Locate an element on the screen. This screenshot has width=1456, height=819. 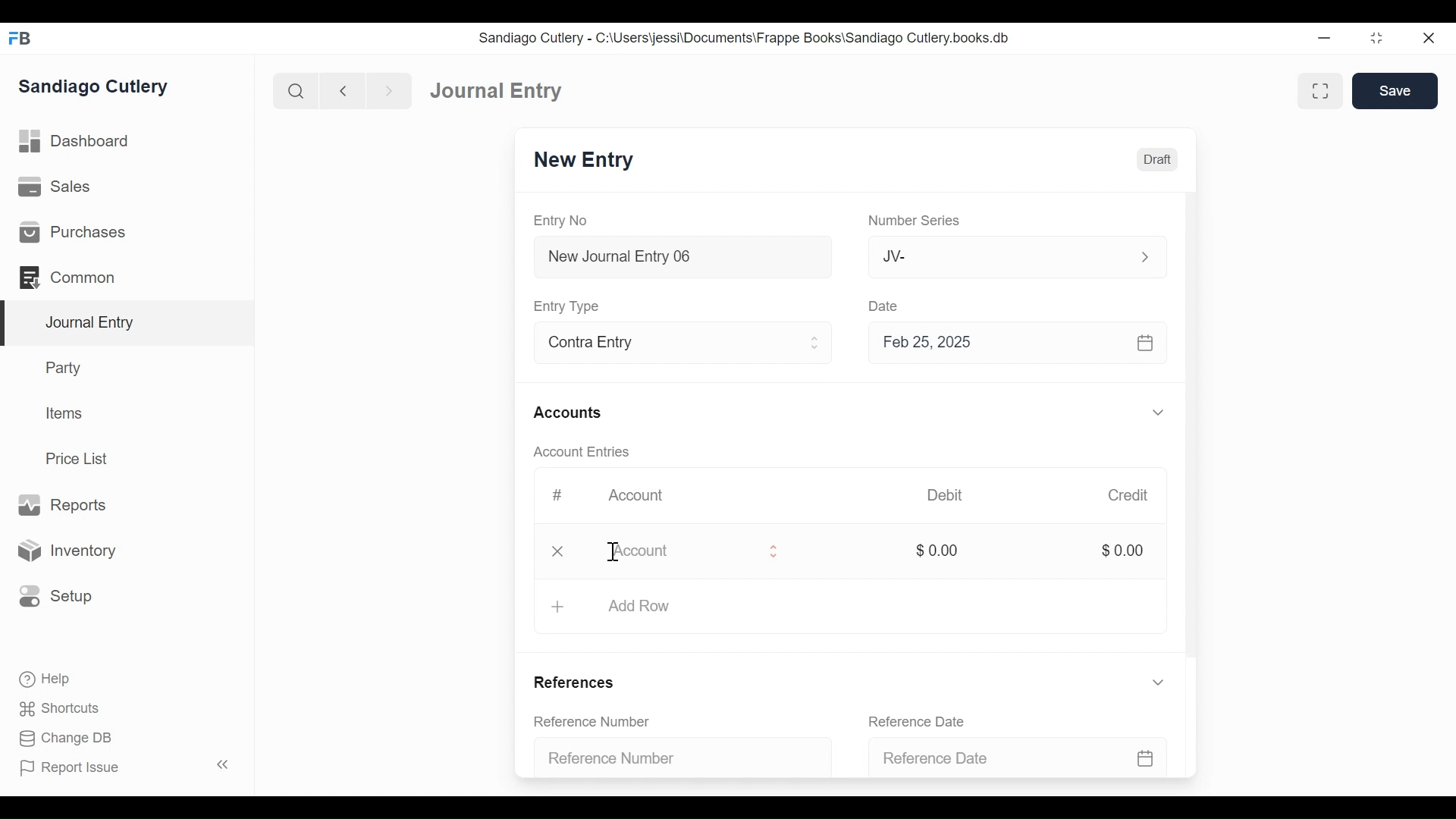
Close is located at coordinates (1431, 37).